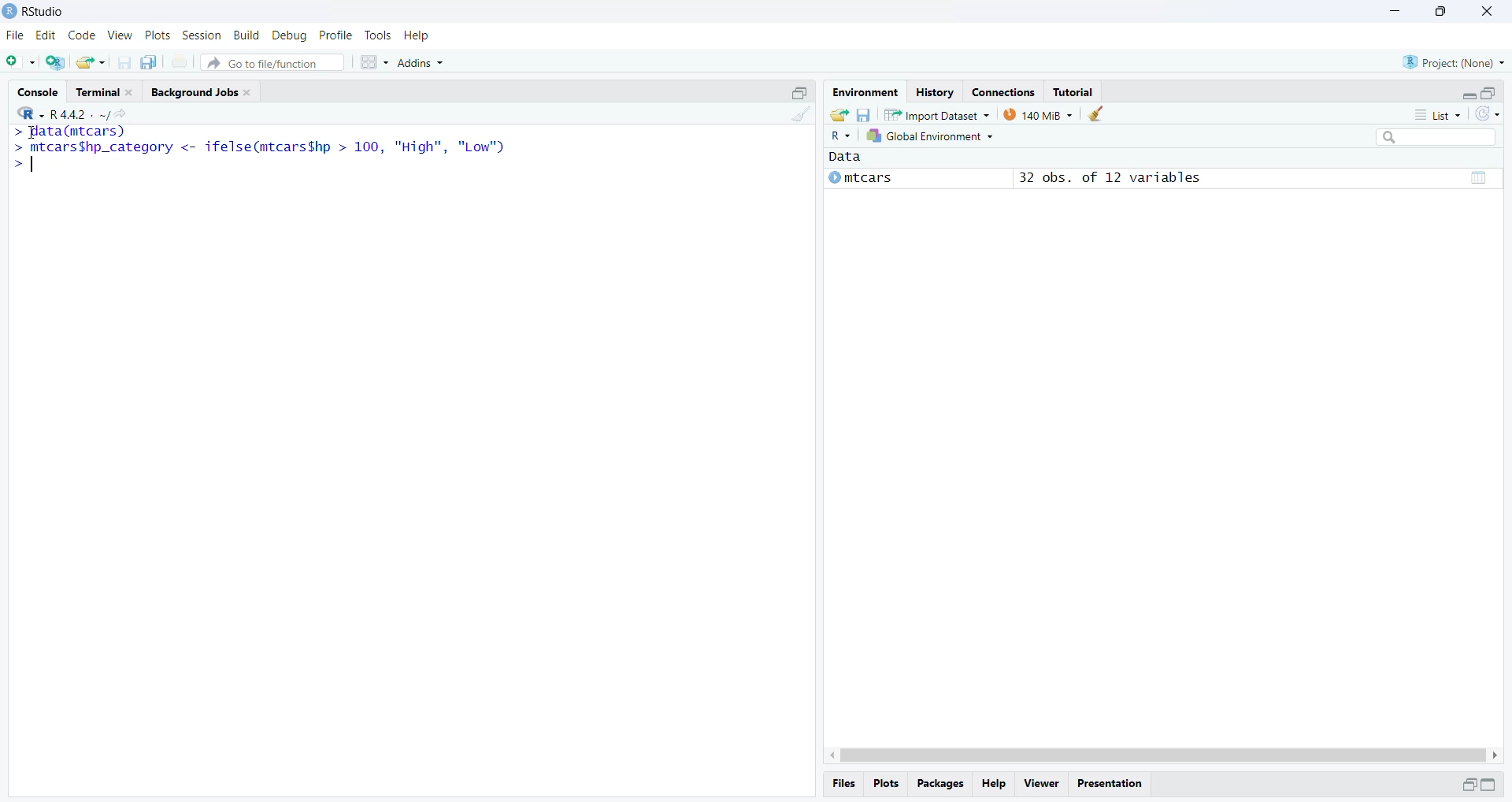 Image resolution: width=1512 pixels, height=802 pixels. I want to click on Maximize, so click(1439, 12).